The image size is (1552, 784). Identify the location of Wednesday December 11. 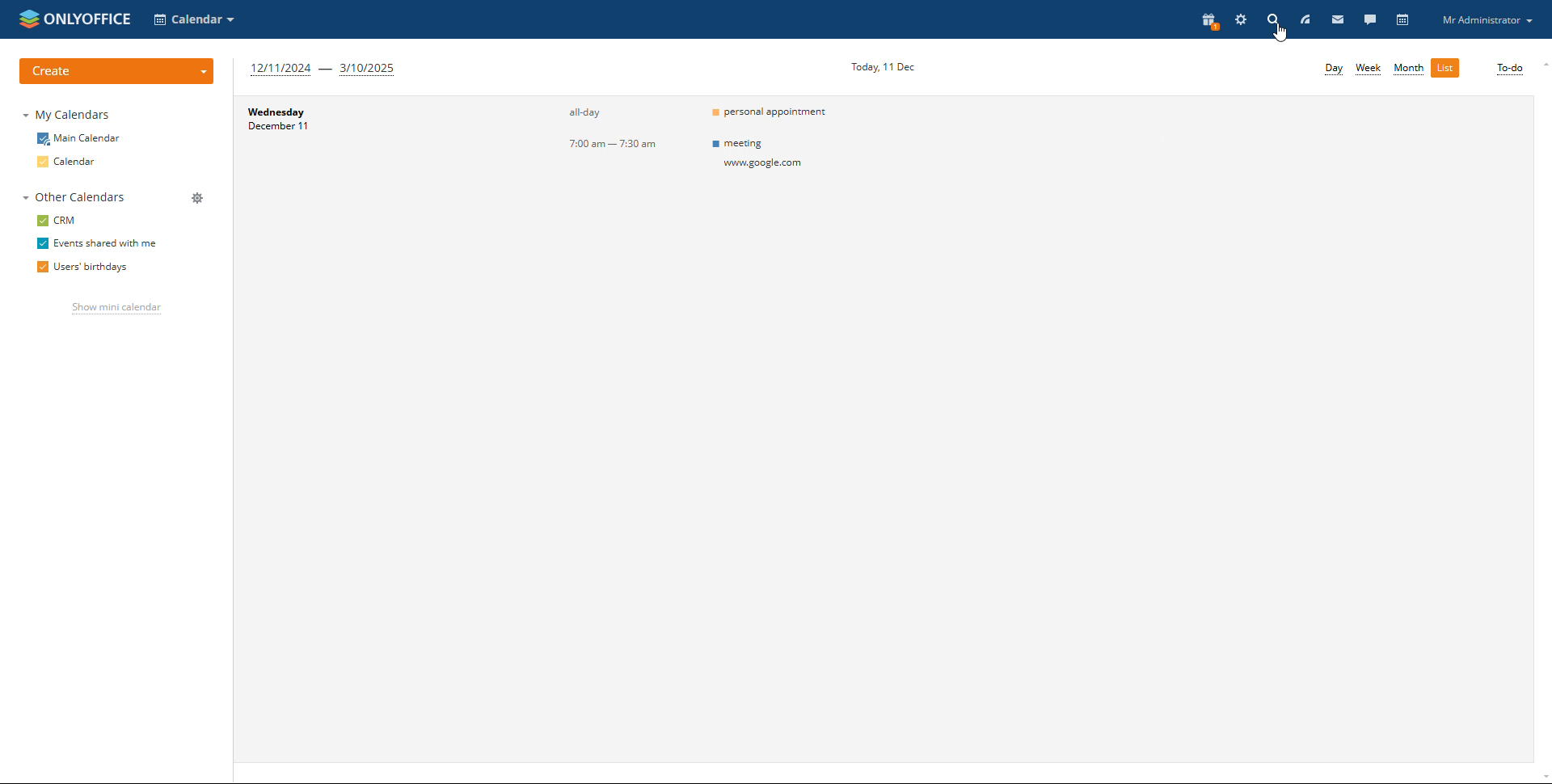
(359, 158).